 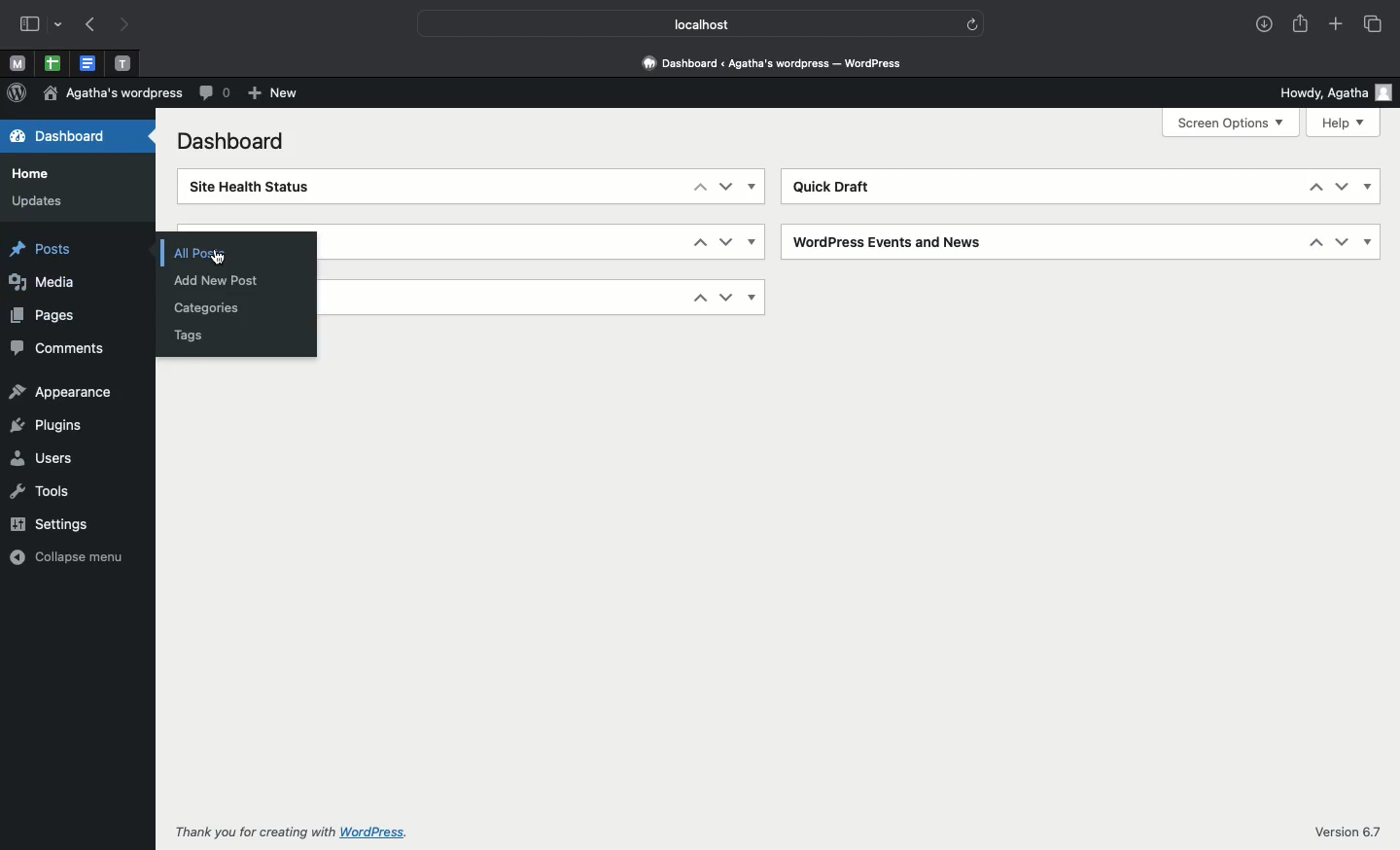 What do you see at coordinates (40, 314) in the screenshot?
I see `Pages` at bounding box center [40, 314].